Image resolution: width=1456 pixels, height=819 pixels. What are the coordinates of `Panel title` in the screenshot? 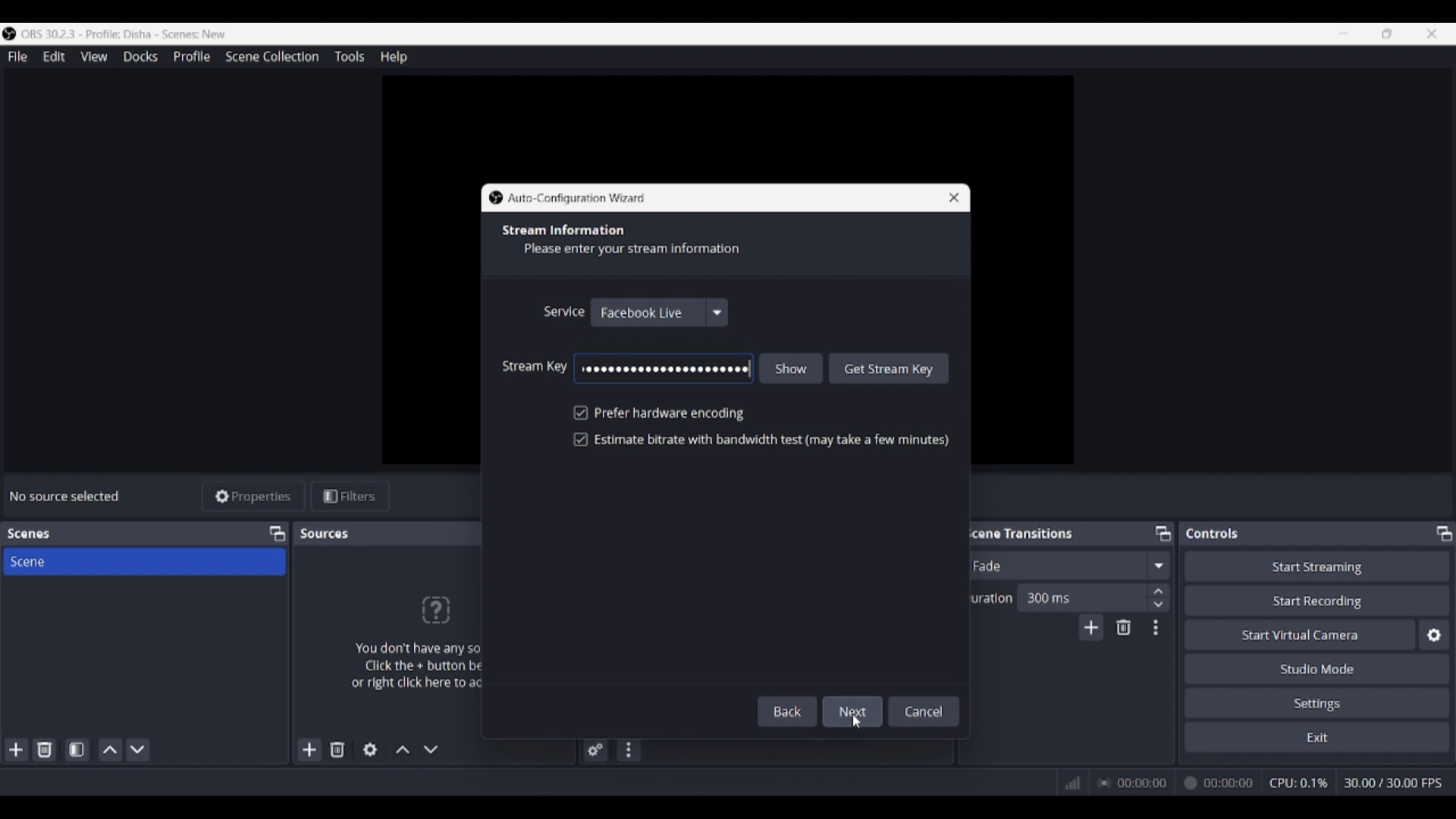 It's located at (326, 533).